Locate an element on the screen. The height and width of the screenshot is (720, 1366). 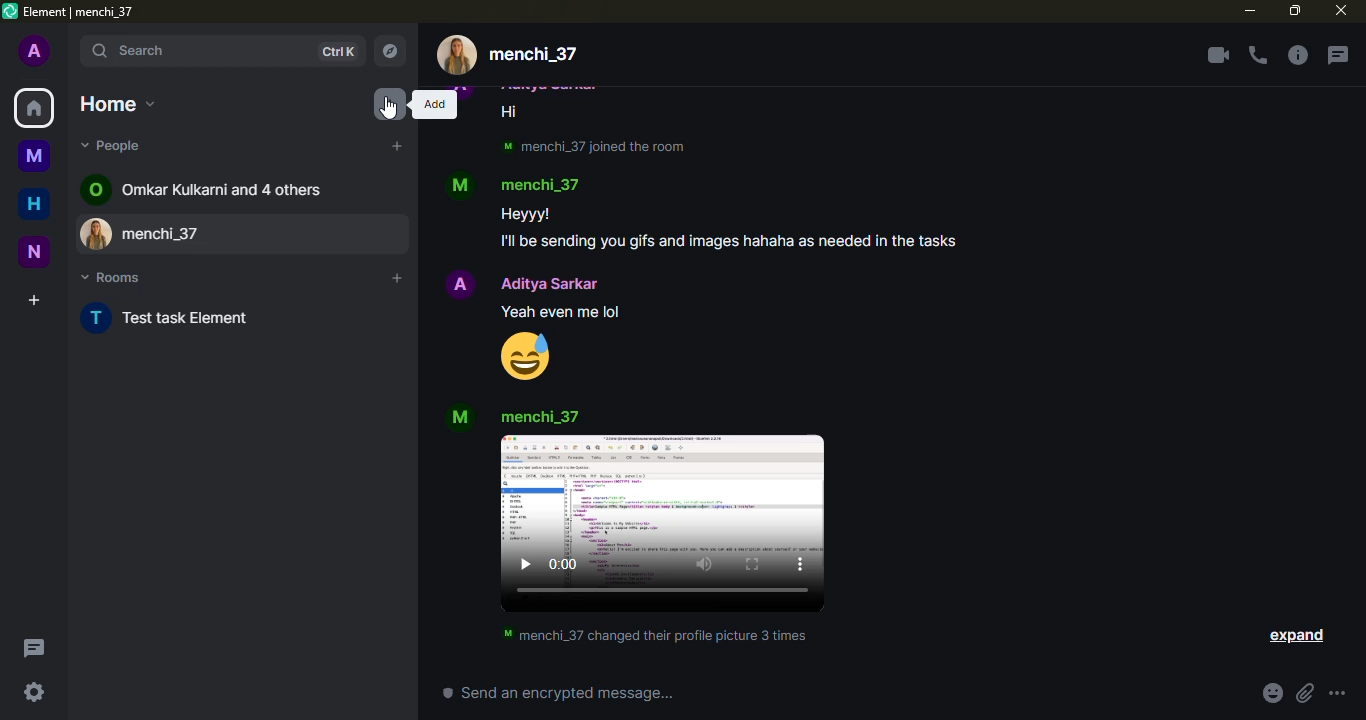
menchi_37 is located at coordinates (533, 55).